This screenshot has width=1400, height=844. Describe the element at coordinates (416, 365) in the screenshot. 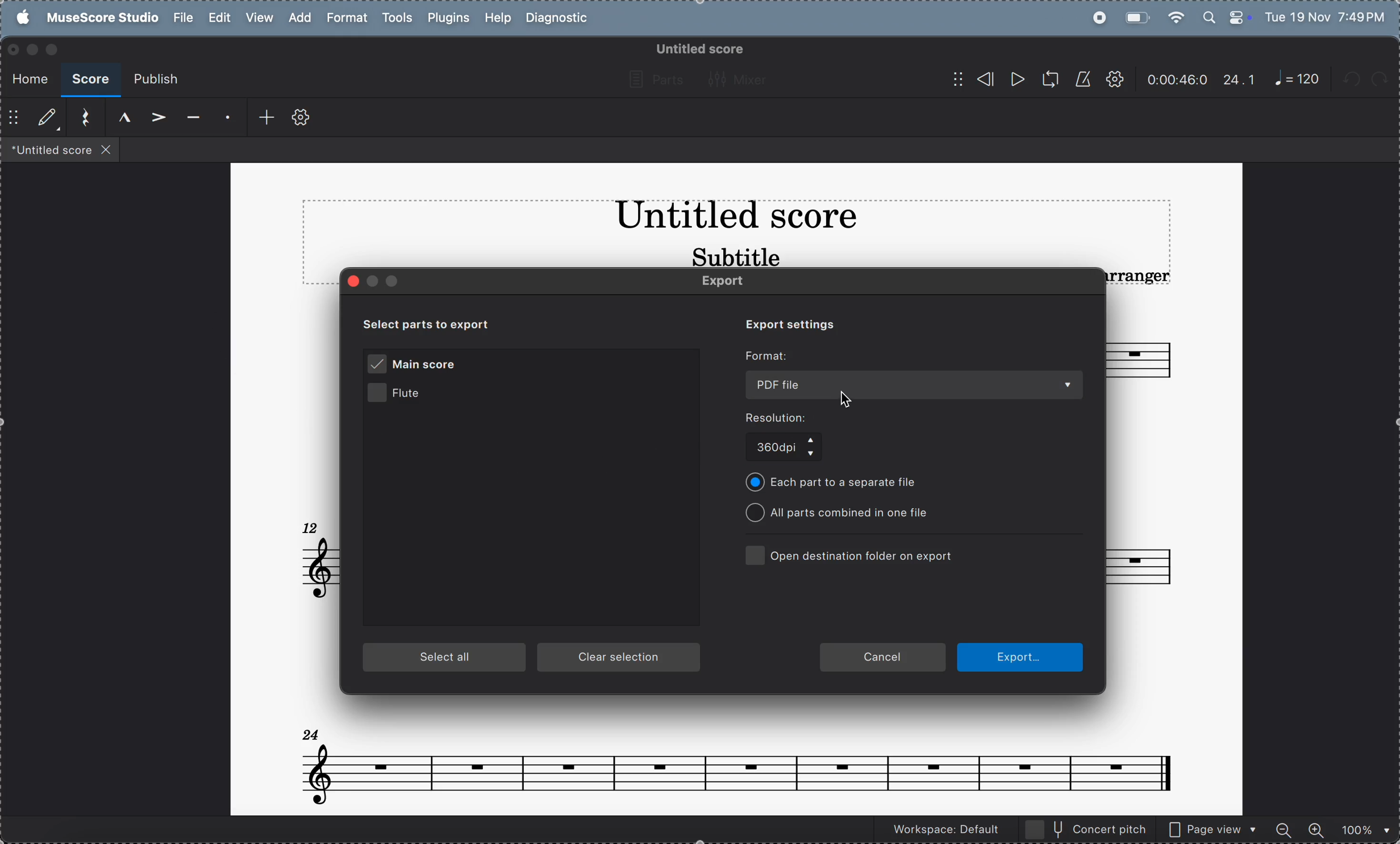

I see `main score` at that location.